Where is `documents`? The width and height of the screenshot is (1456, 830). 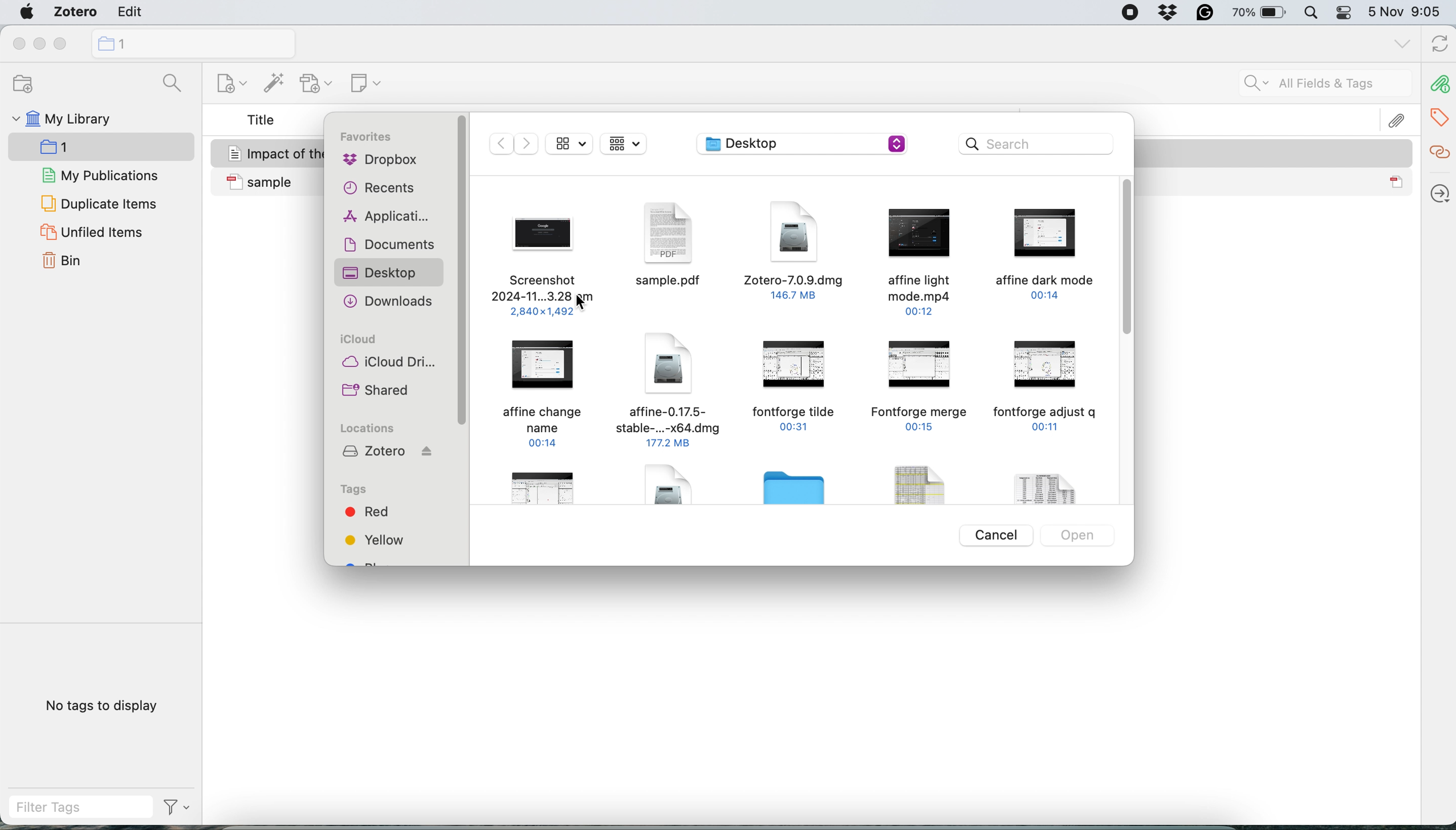
documents is located at coordinates (387, 246).